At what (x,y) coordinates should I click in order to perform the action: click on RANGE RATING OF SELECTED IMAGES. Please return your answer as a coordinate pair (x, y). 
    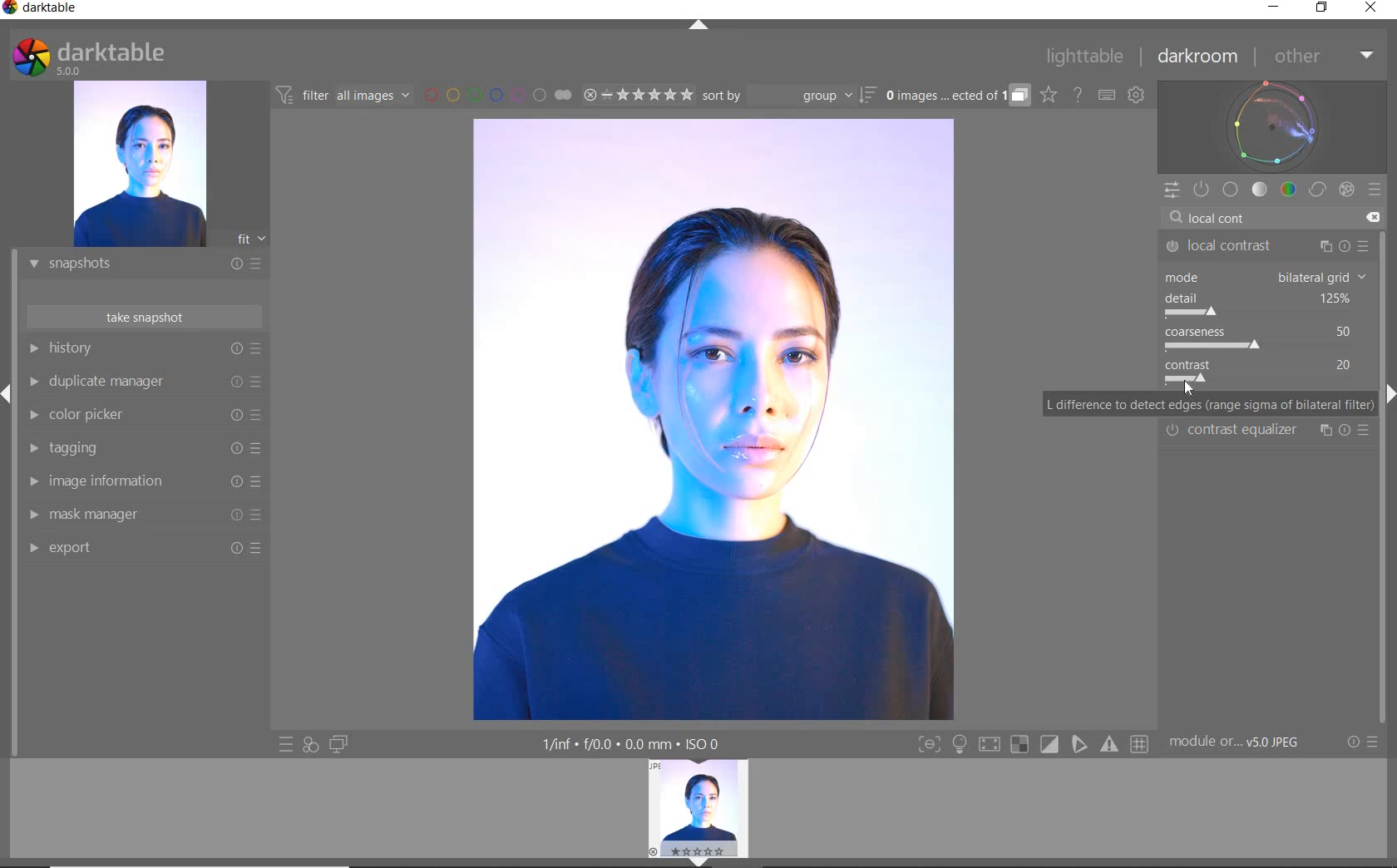
    Looking at the image, I should click on (637, 94).